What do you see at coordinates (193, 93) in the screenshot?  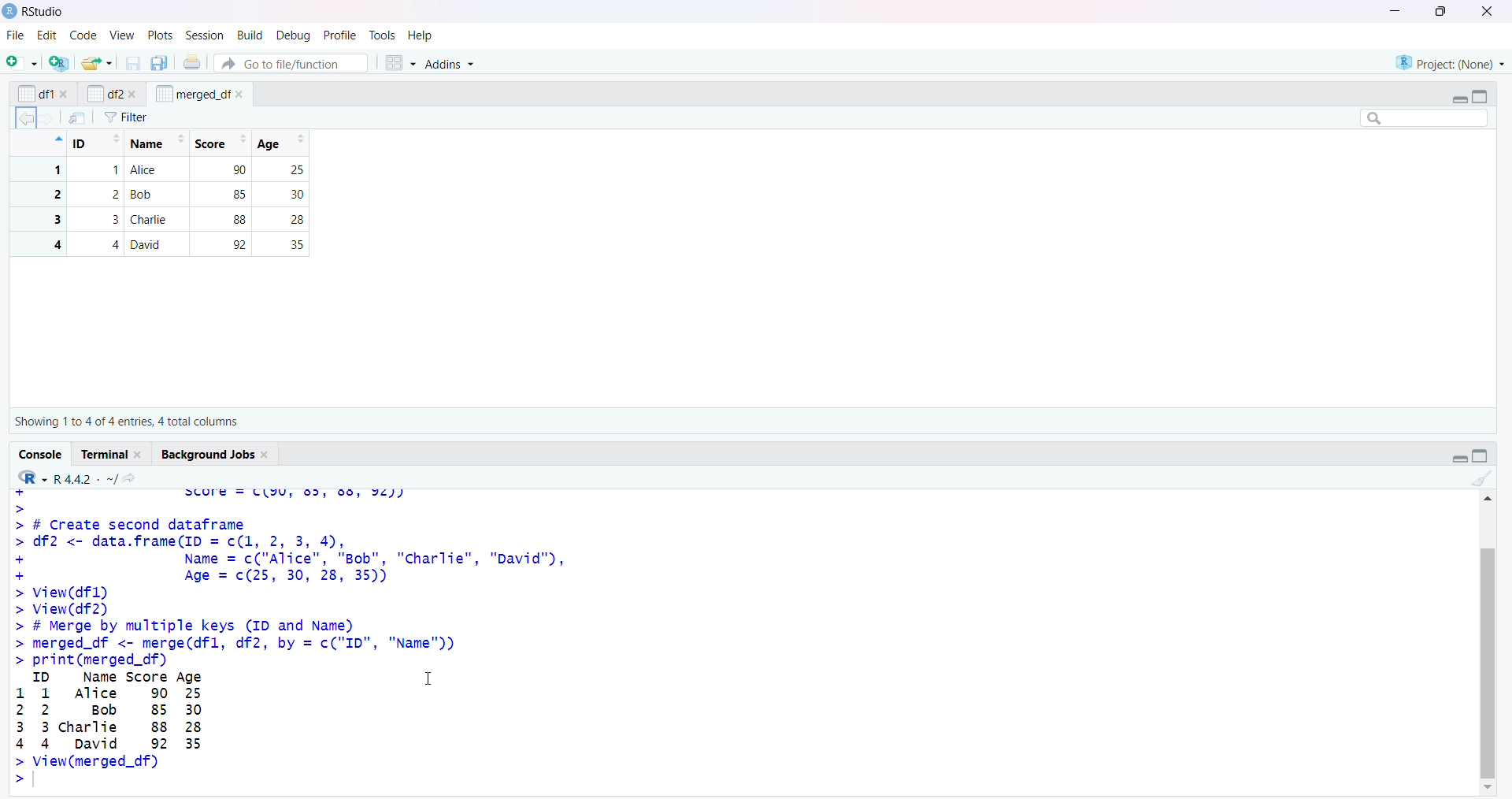 I see `merged_df` at bounding box center [193, 93].